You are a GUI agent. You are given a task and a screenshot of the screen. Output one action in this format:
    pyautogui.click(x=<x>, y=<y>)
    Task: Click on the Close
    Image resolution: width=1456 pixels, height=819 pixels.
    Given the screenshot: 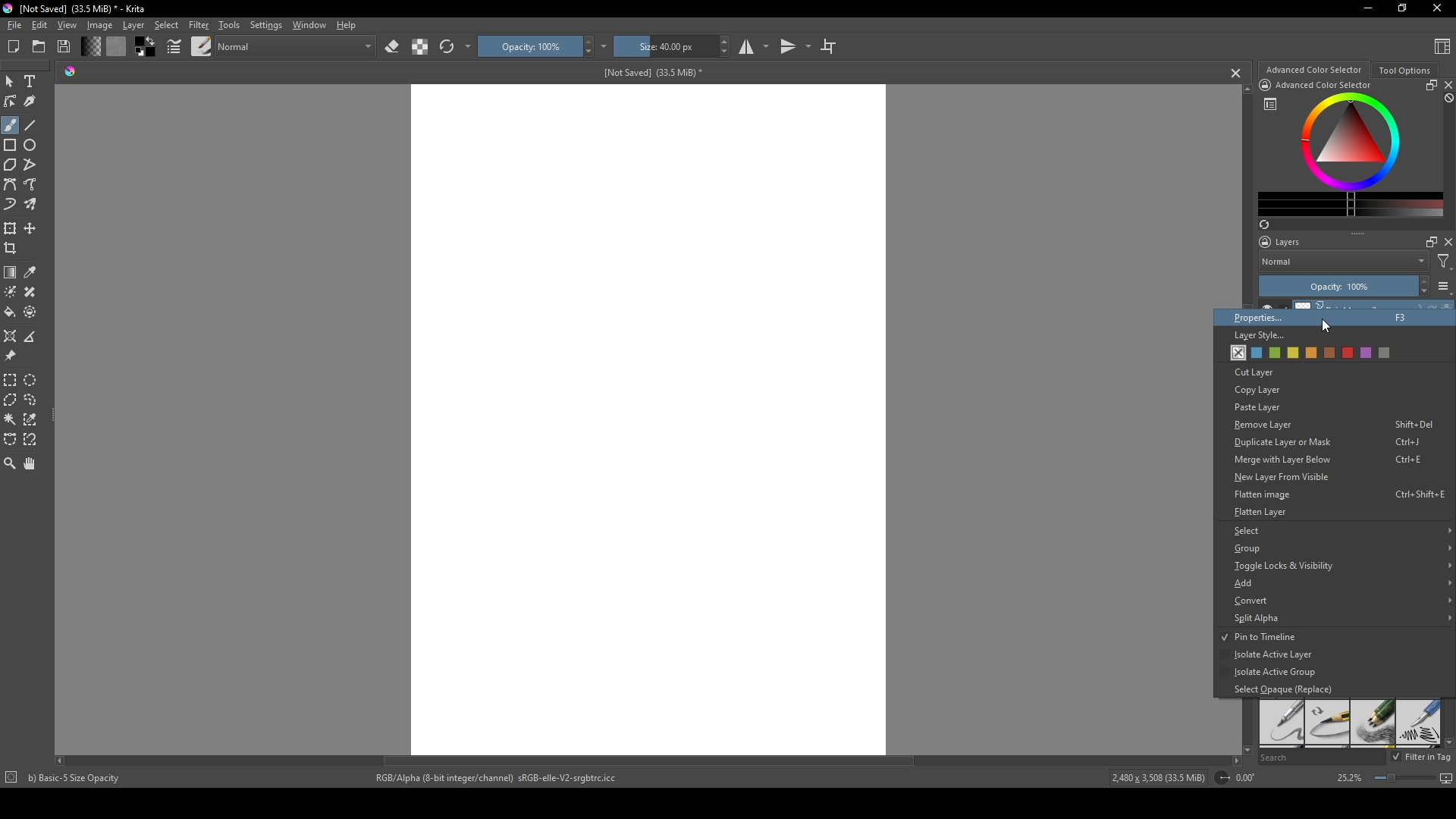 What is the action you would take?
    pyautogui.click(x=1434, y=9)
    